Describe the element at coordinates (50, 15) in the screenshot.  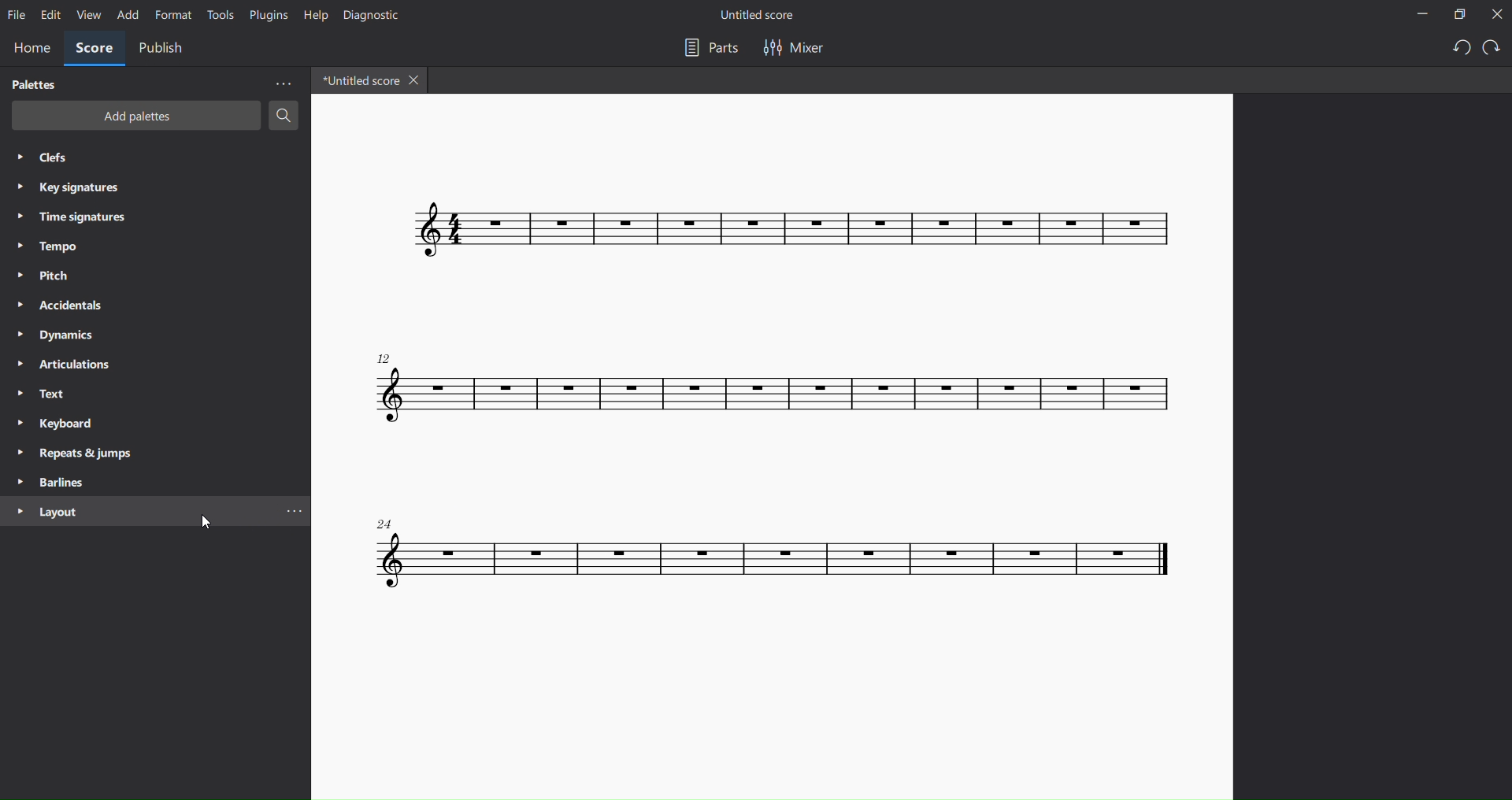
I see `edit` at that location.